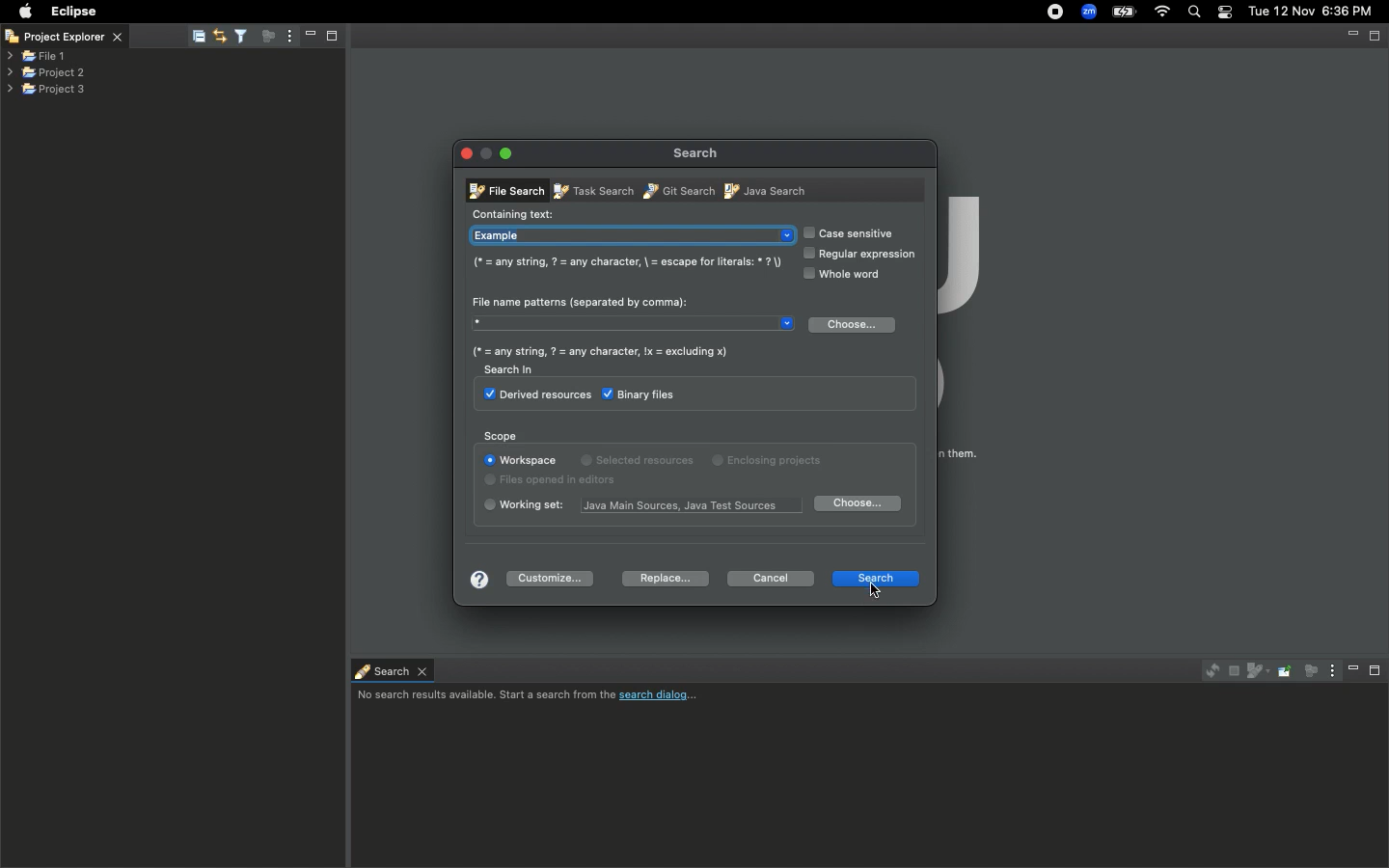 The width and height of the screenshot is (1389, 868). Describe the element at coordinates (334, 35) in the screenshot. I see `maximize` at that location.